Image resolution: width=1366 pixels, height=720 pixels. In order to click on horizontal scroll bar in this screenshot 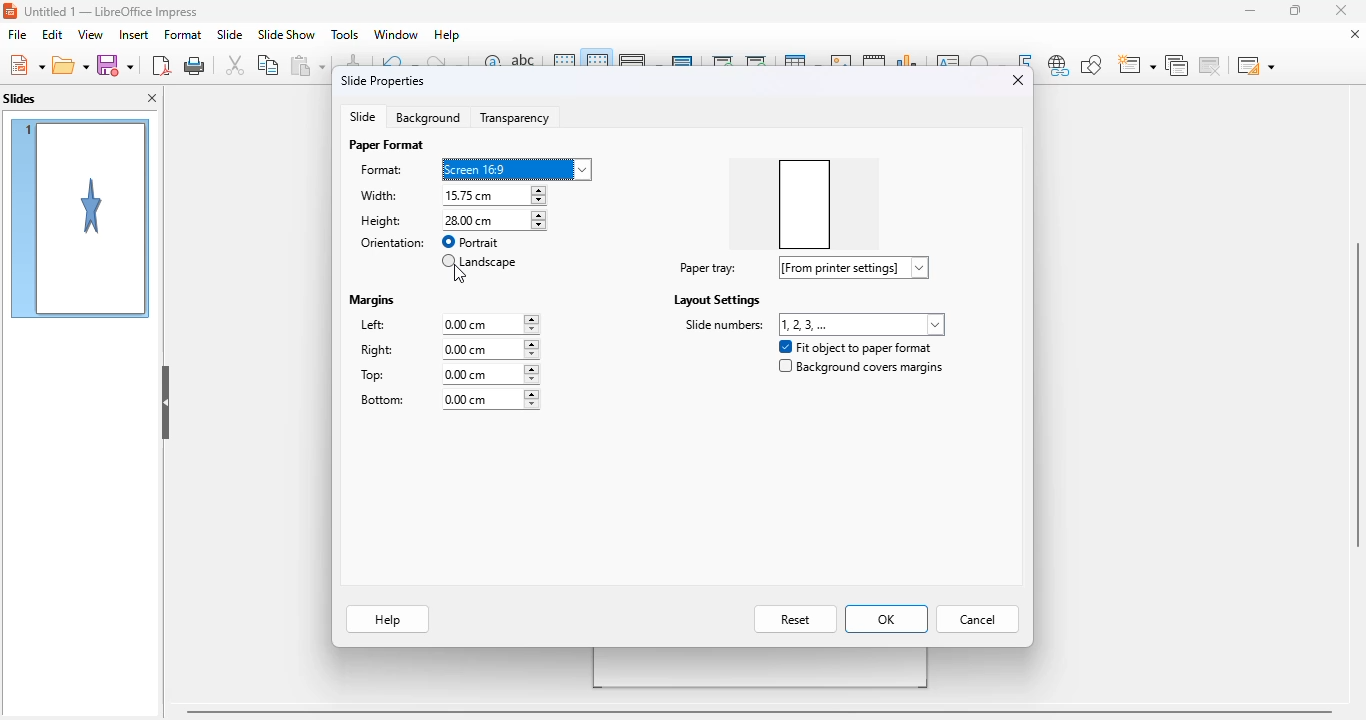, I will do `click(762, 710)`.